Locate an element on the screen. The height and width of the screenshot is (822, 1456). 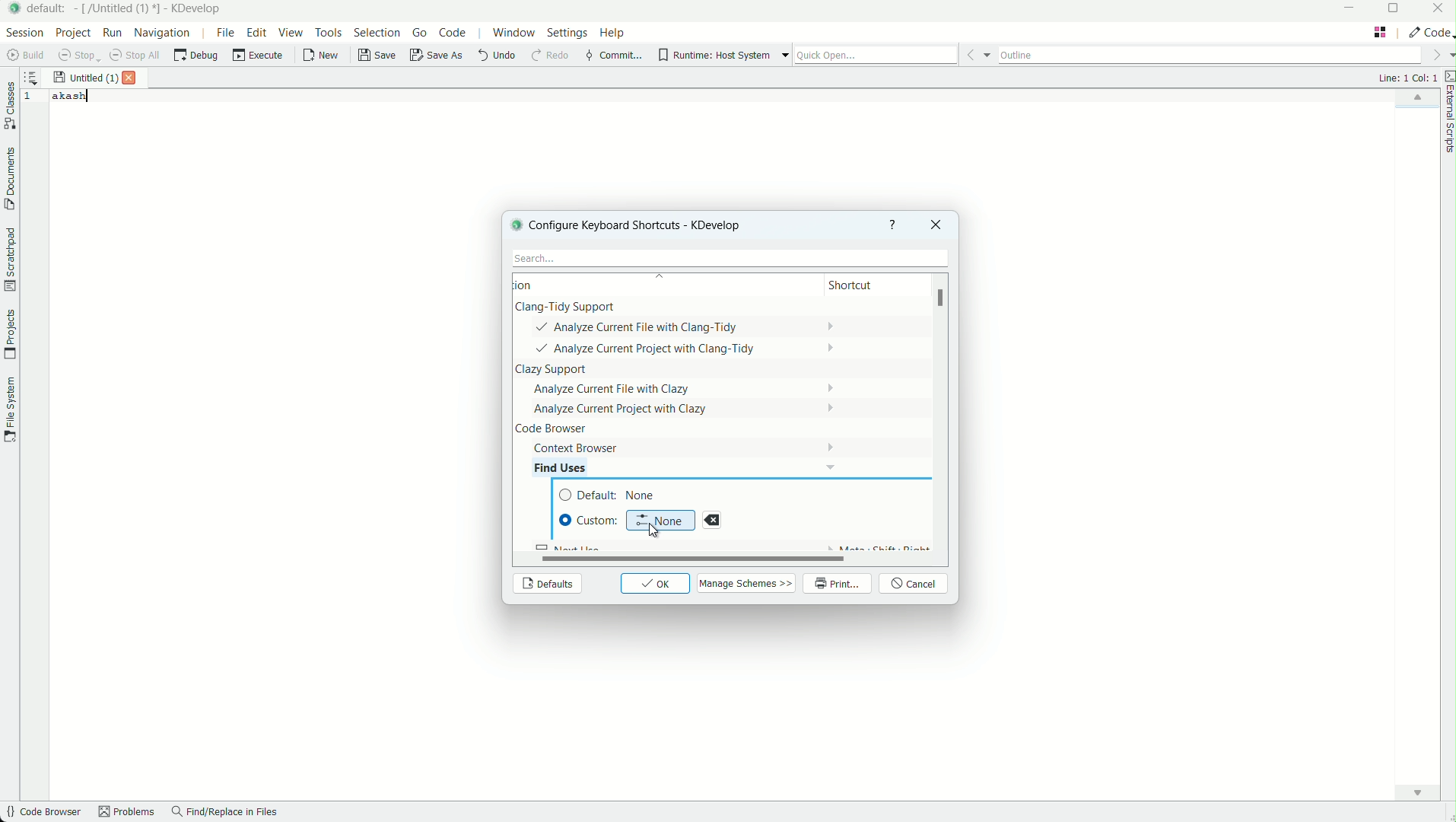
view menu is located at coordinates (293, 33).